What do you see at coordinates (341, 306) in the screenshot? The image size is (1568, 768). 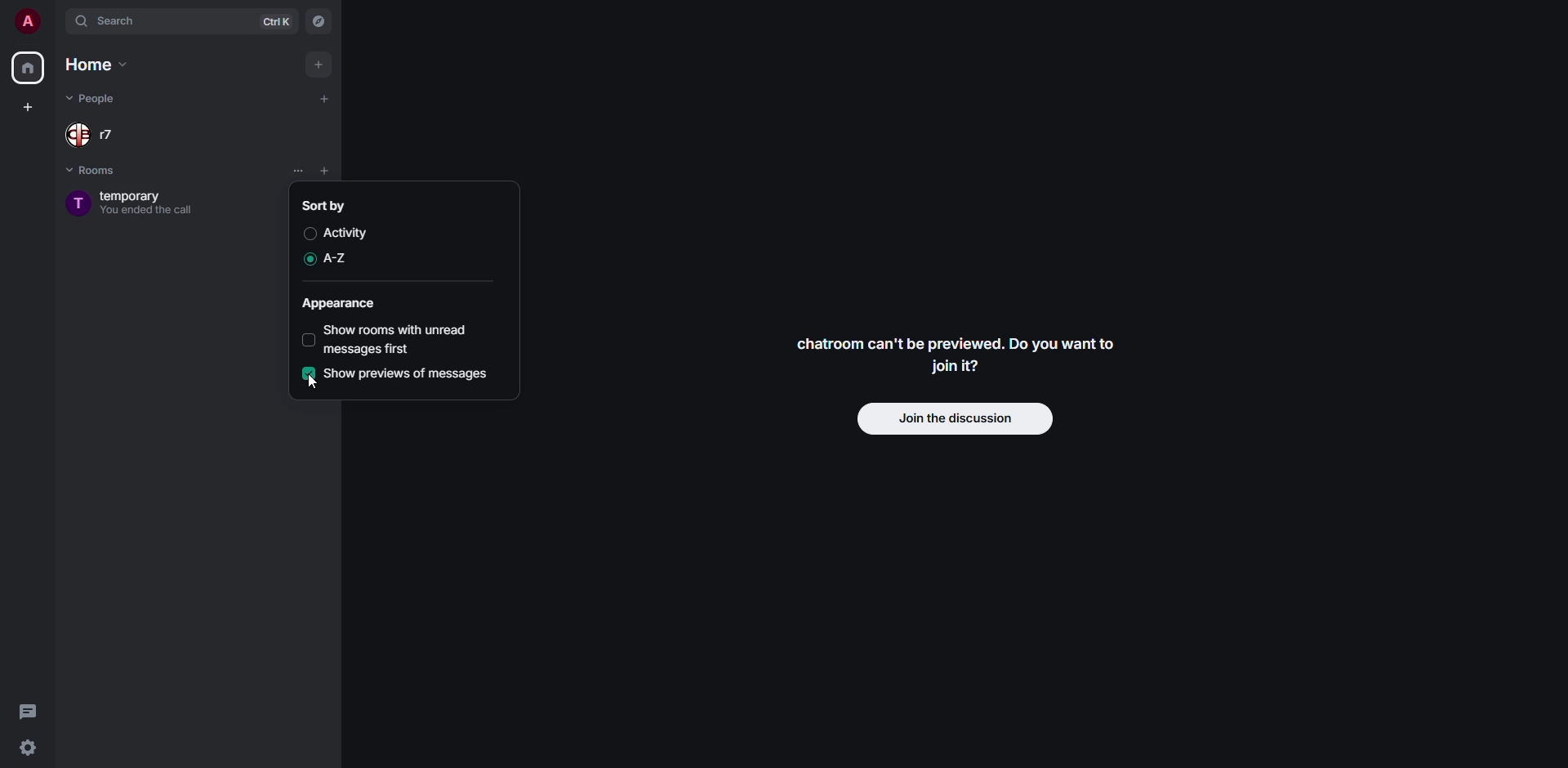 I see `appearance` at bounding box center [341, 306].